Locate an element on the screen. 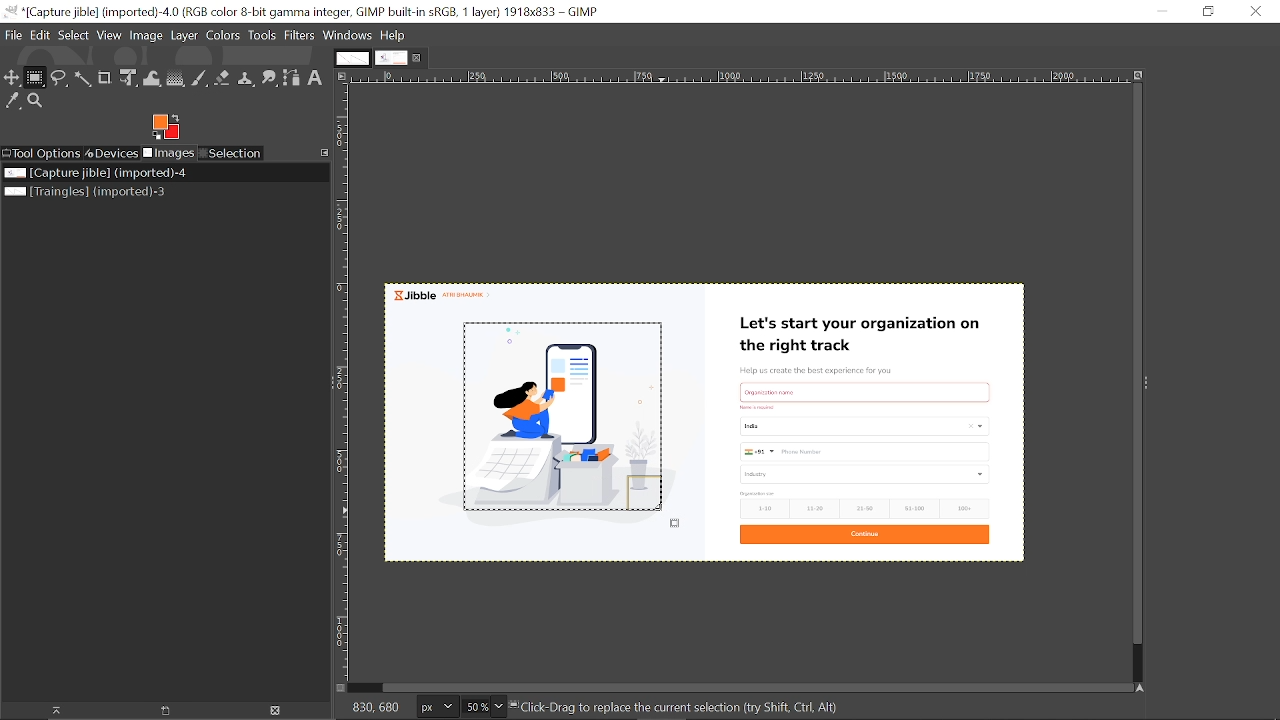 This screenshot has height=720, width=1280. Tools is located at coordinates (264, 37).